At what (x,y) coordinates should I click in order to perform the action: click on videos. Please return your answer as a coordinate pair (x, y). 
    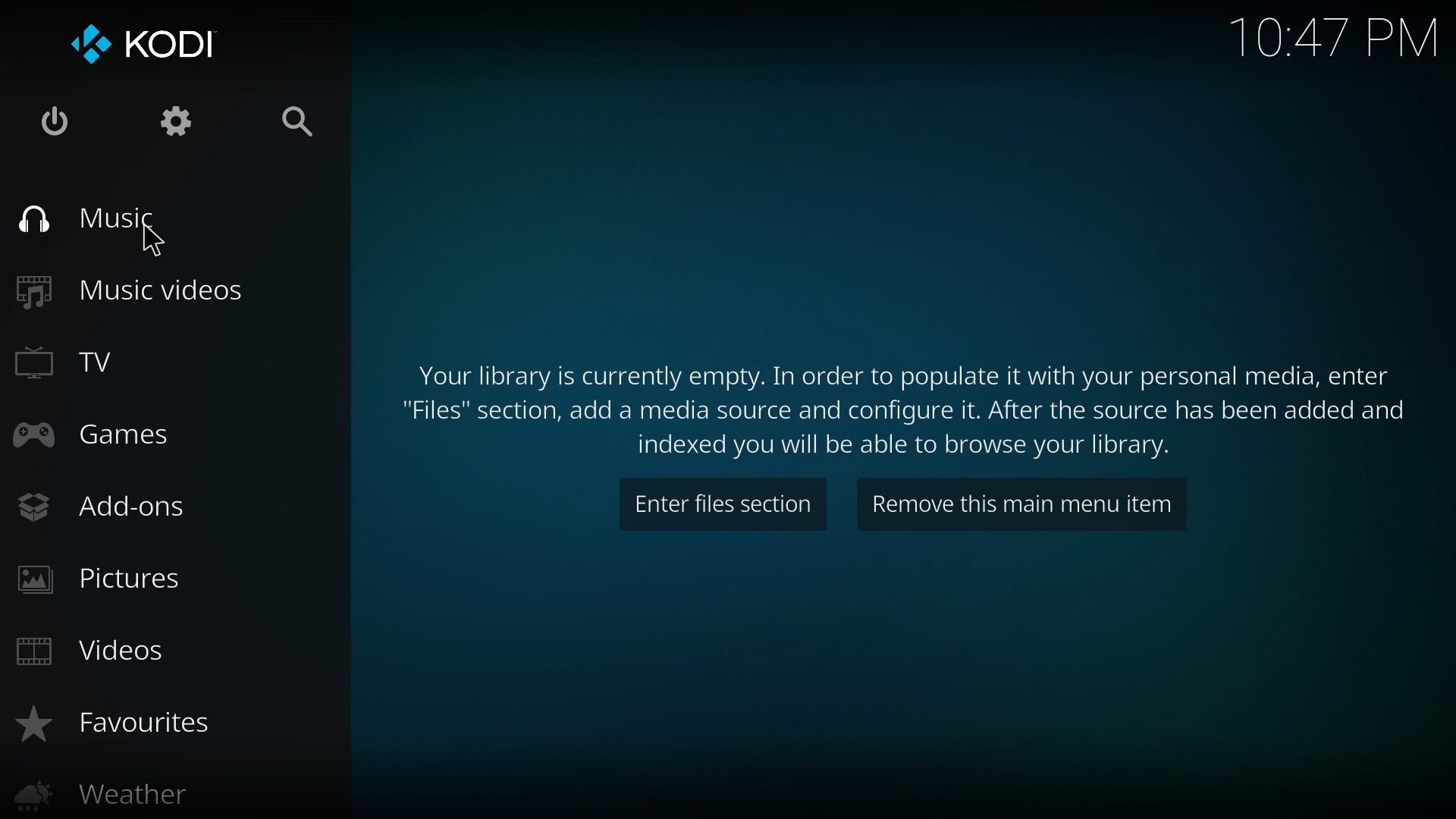
    Looking at the image, I should click on (133, 651).